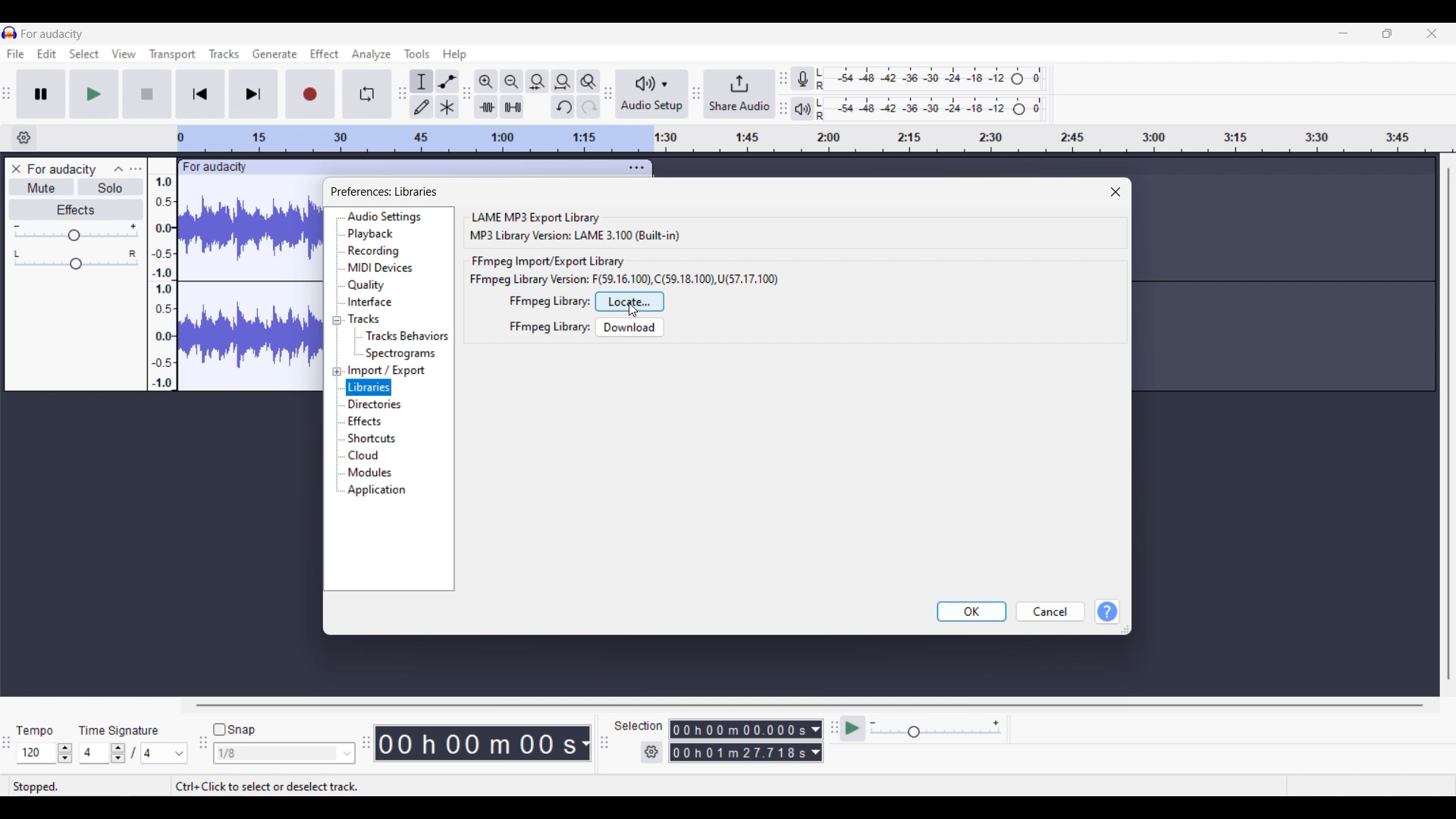 This screenshot has width=1456, height=819. Describe the element at coordinates (550, 262) in the screenshot. I see `FFmpeg import/export library` at that location.